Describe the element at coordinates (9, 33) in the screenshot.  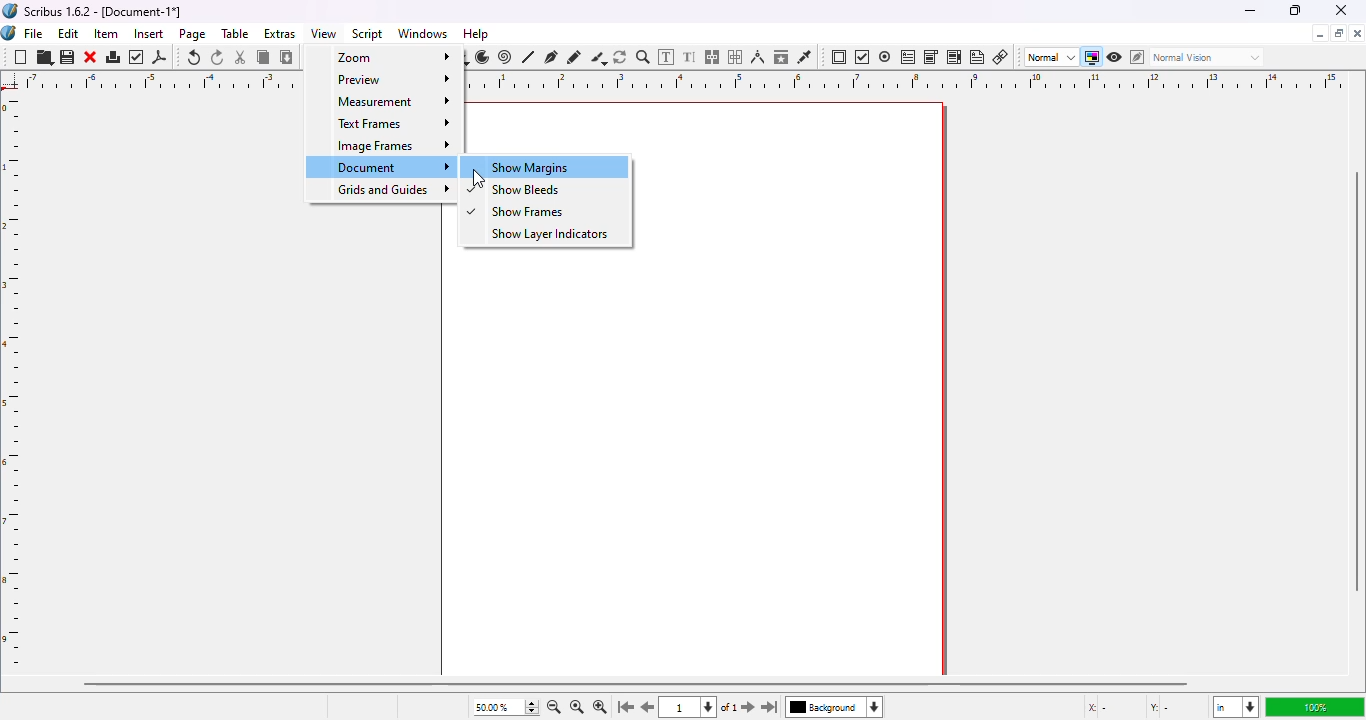
I see `logo` at that location.